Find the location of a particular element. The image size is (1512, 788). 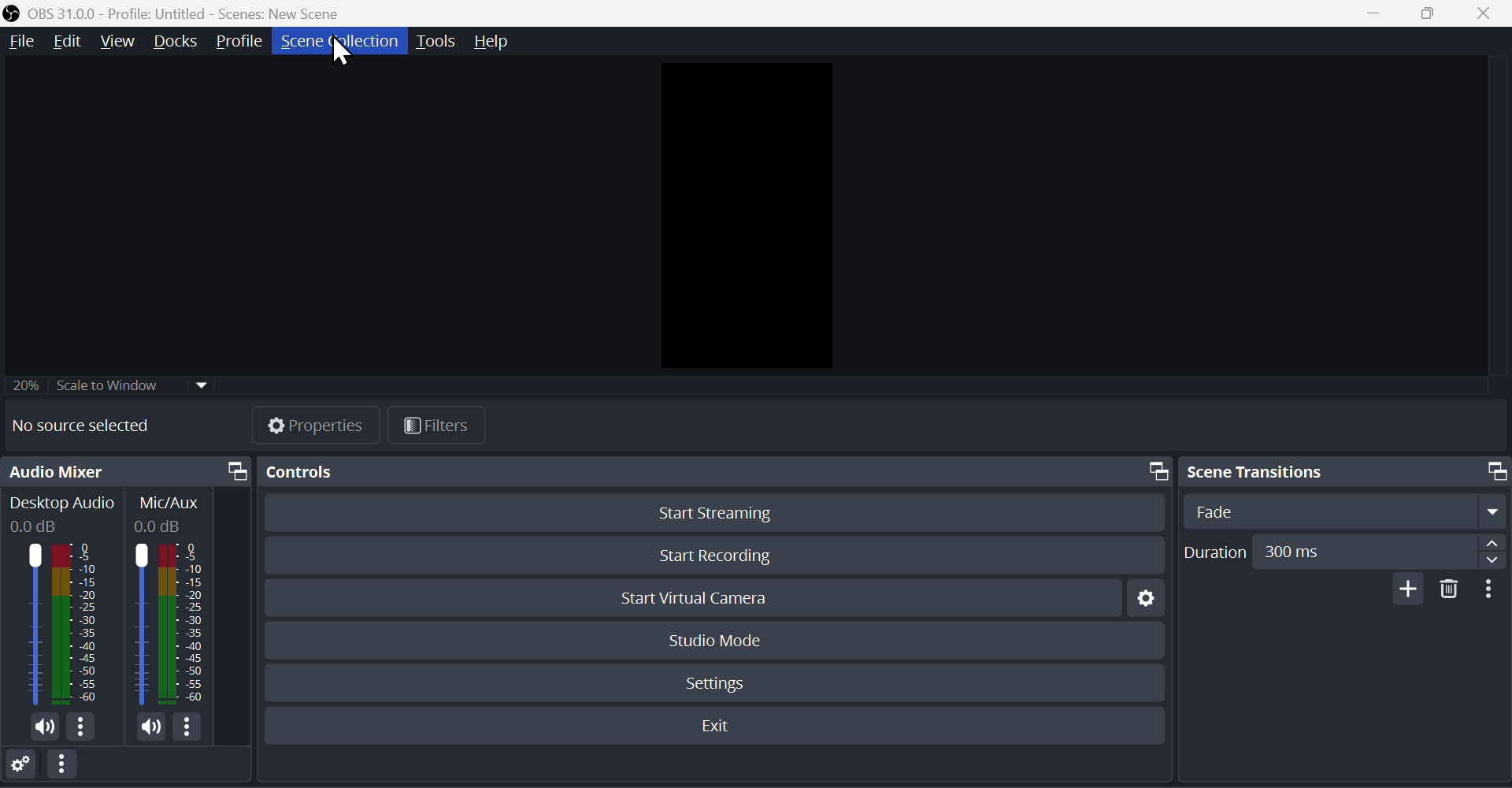

No source selected is located at coordinates (94, 426).